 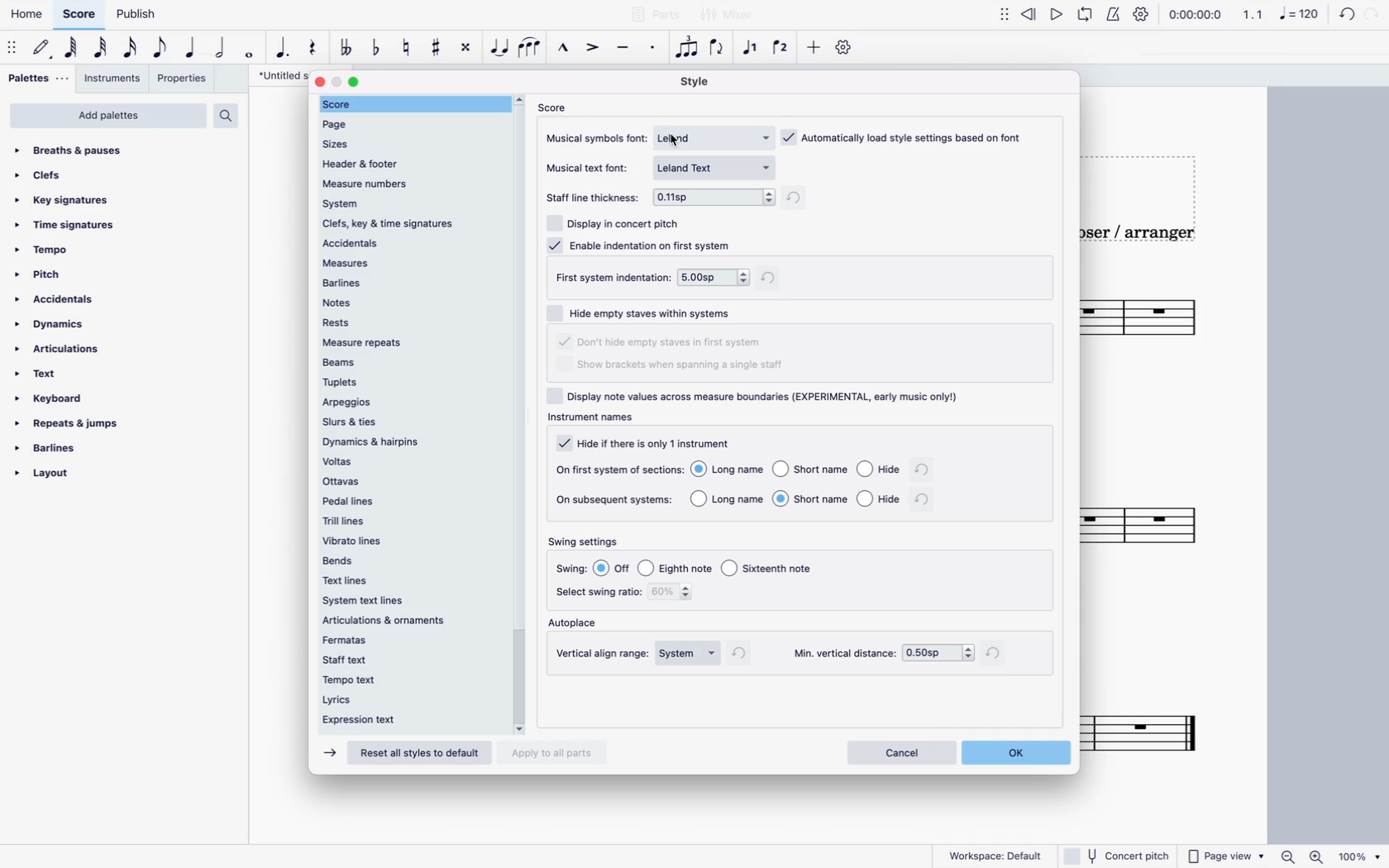 What do you see at coordinates (782, 48) in the screenshot?
I see `voice 2` at bounding box center [782, 48].